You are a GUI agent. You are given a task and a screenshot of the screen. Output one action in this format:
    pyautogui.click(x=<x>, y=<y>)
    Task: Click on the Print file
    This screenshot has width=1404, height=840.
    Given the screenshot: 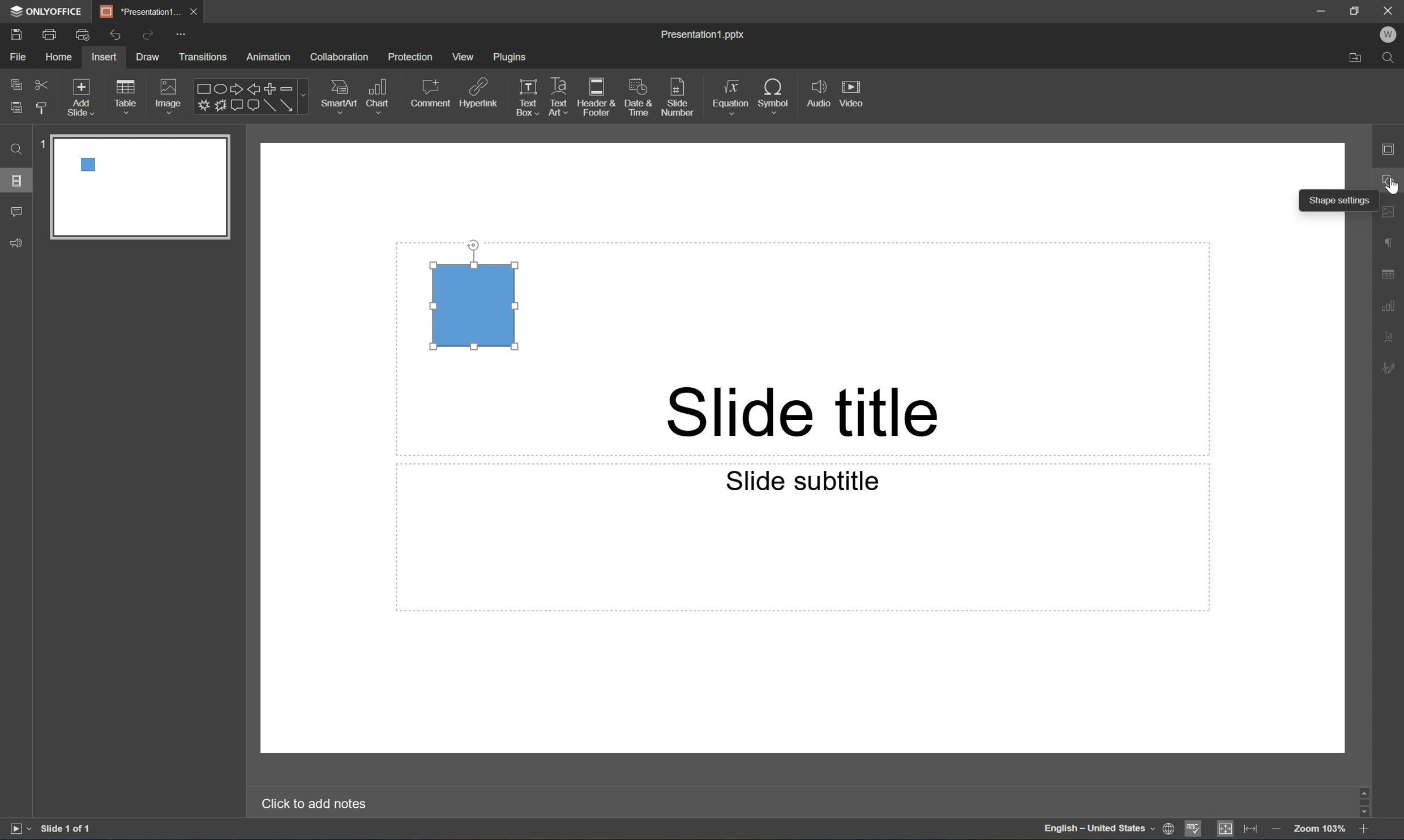 What is the action you would take?
    pyautogui.click(x=52, y=33)
    